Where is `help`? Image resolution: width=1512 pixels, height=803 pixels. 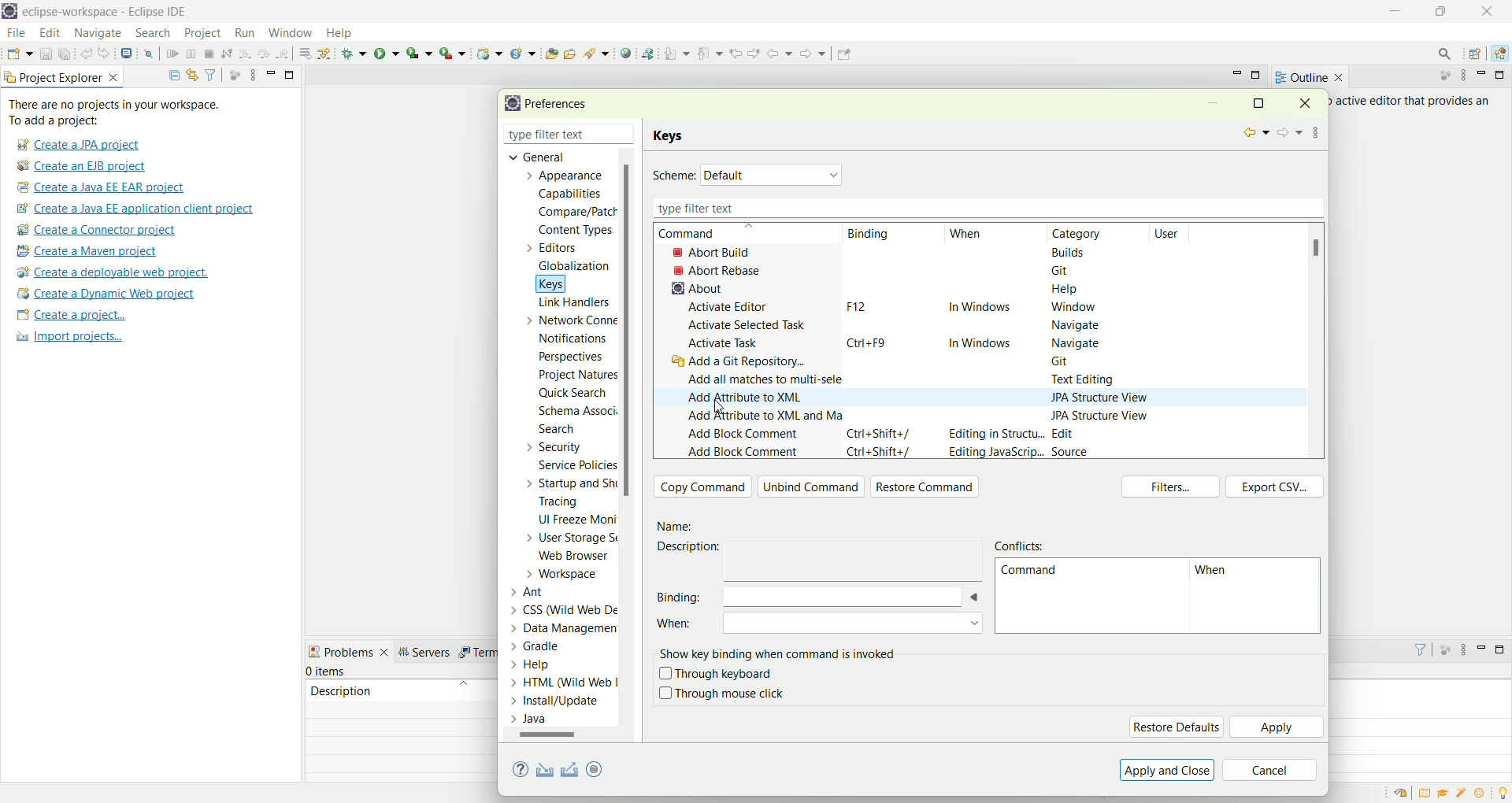
help is located at coordinates (523, 771).